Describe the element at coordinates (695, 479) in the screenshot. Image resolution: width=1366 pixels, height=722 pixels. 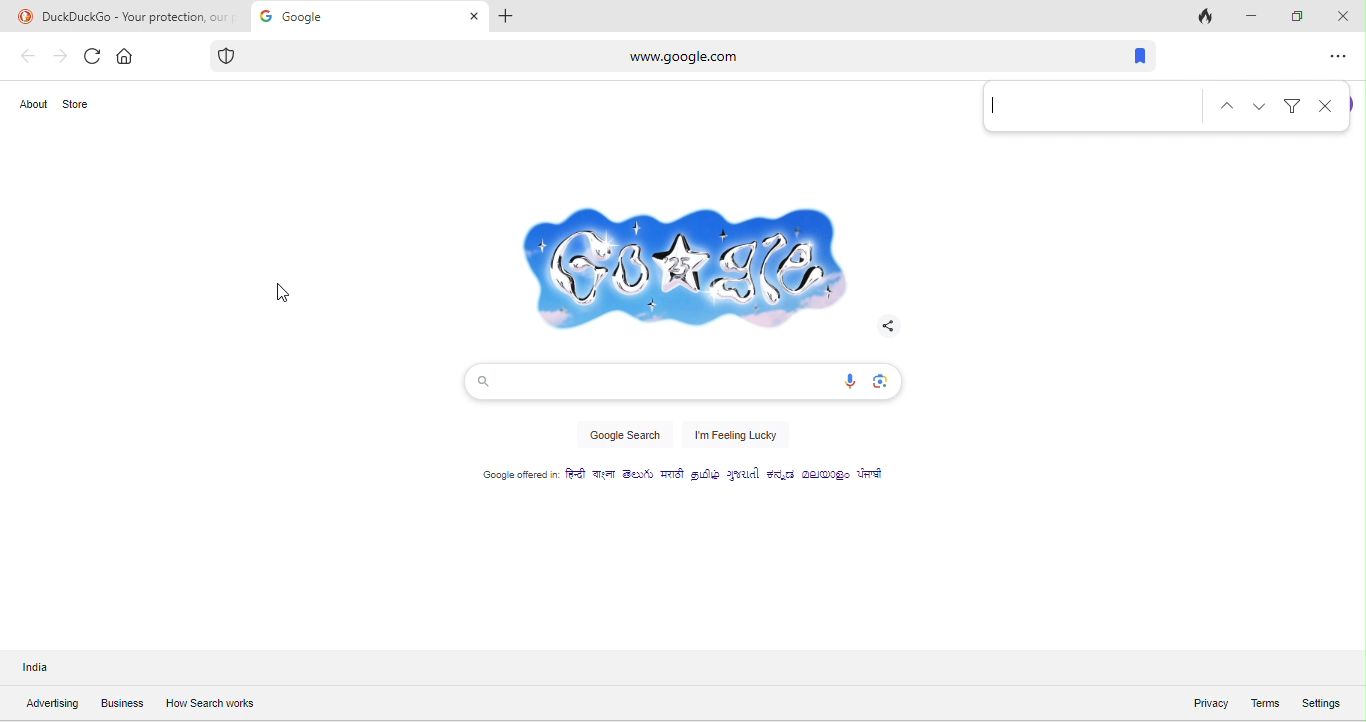
I see `google offered in different type of language` at that location.